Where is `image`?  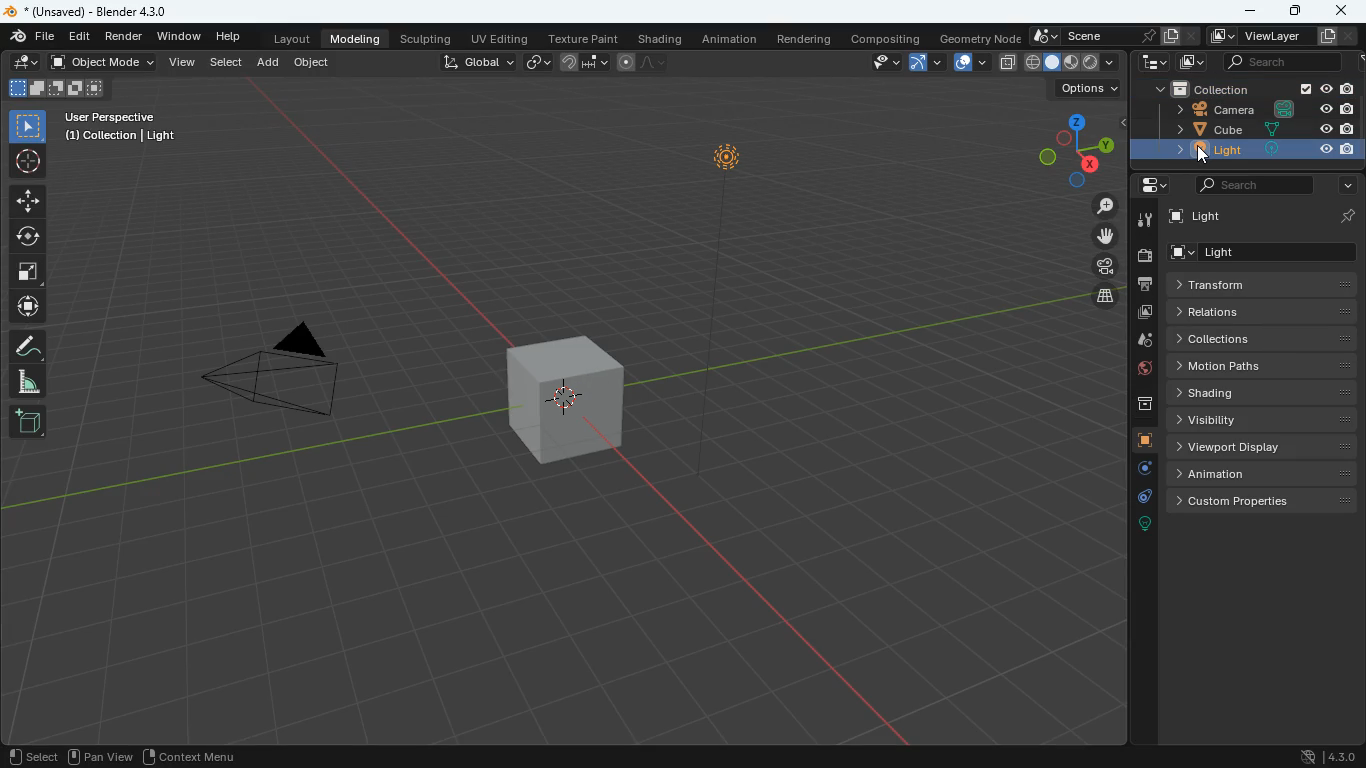
image is located at coordinates (1144, 313).